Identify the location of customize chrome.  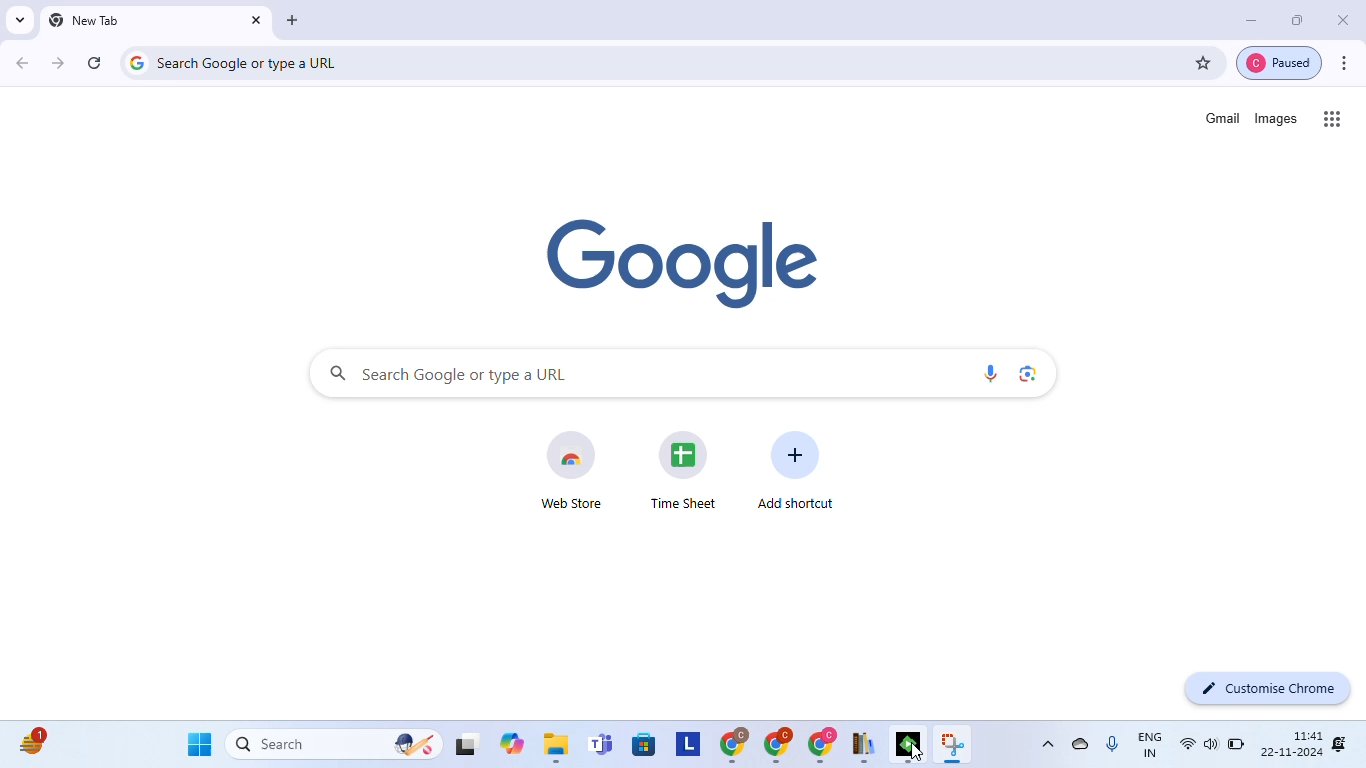
(1268, 689).